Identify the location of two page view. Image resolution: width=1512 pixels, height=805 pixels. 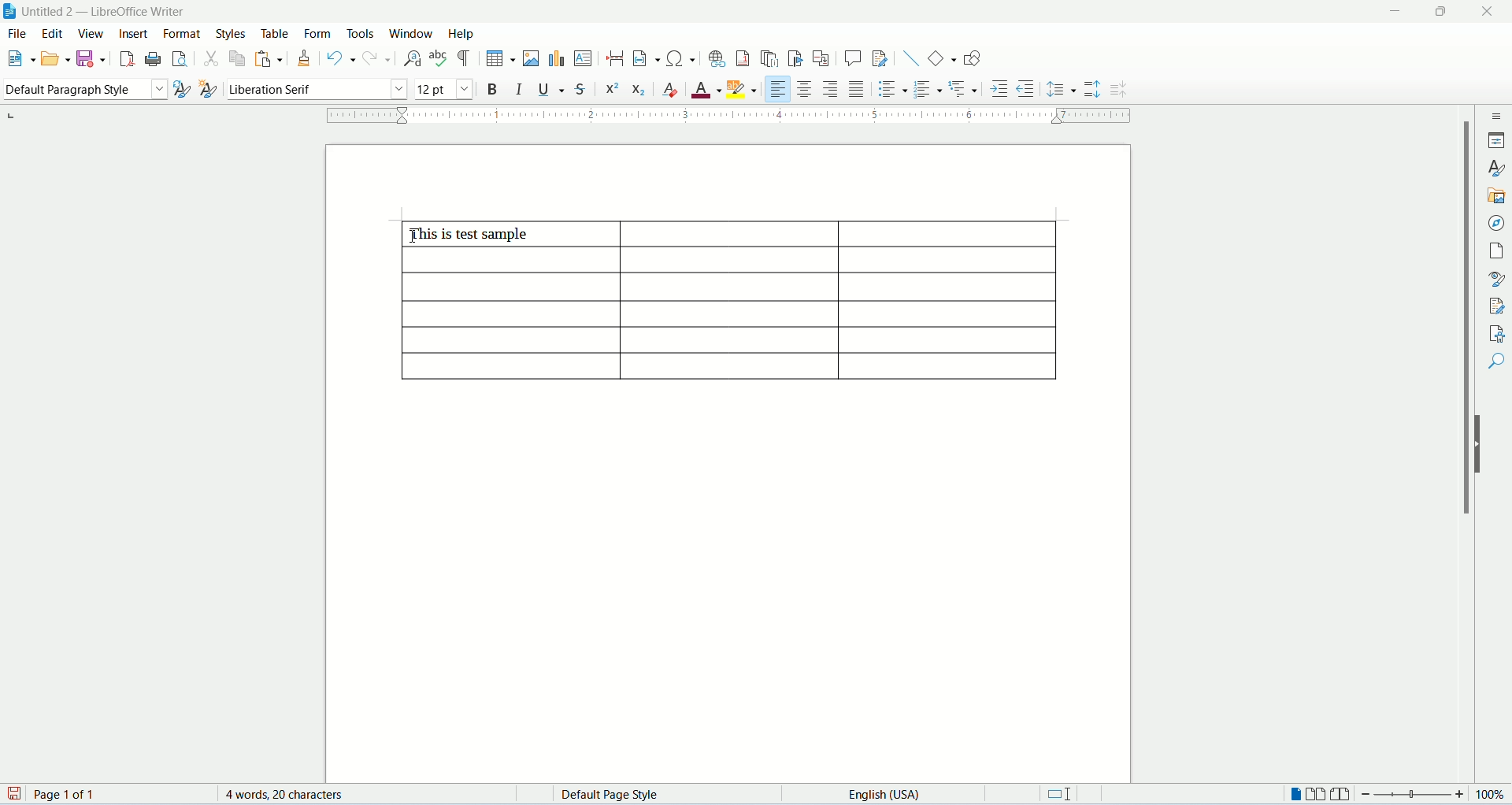
(1316, 795).